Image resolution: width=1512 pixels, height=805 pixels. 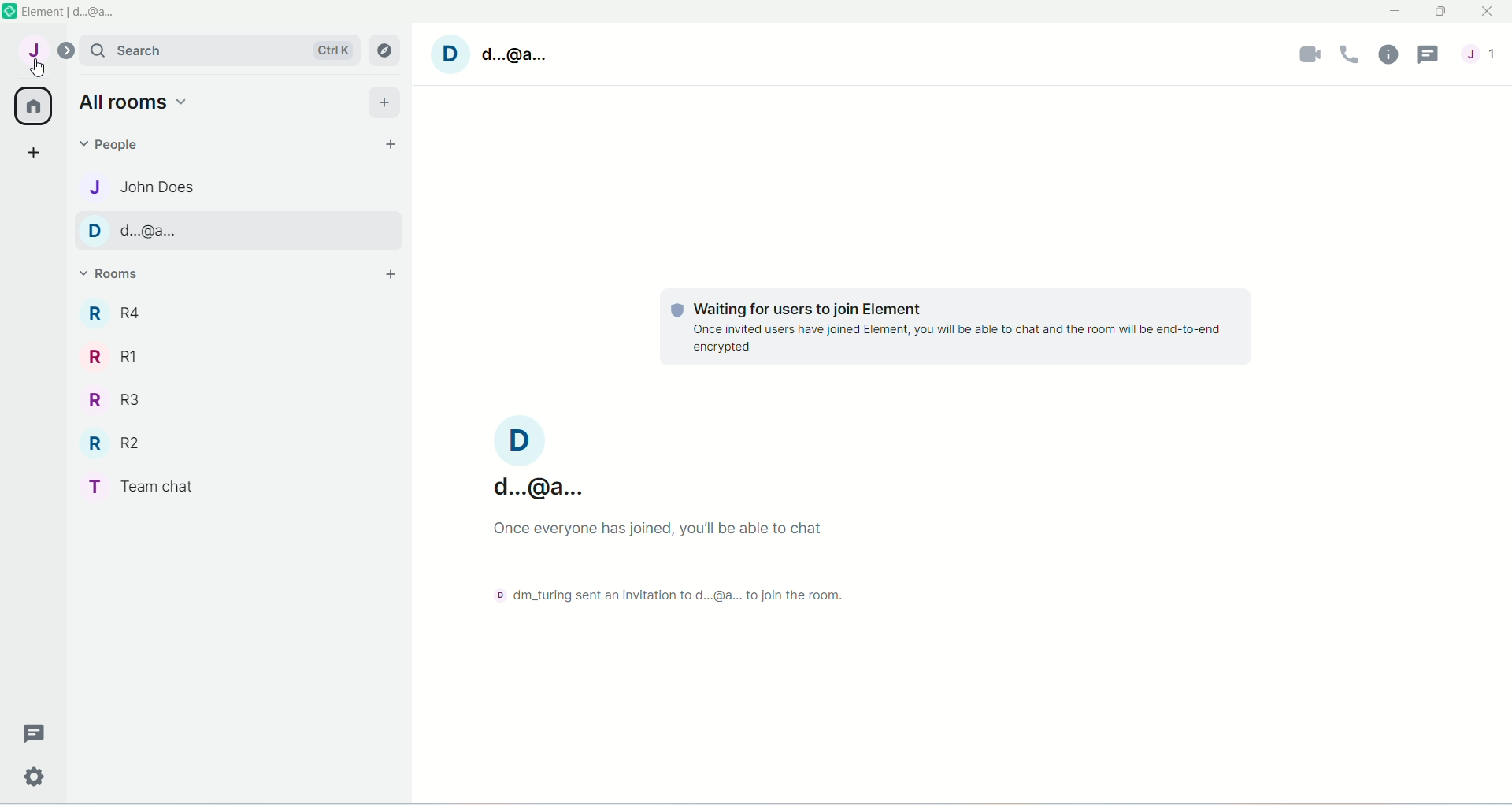 What do you see at coordinates (132, 102) in the screenshot?
I see `all rooms` at bounding box center [132, 102].